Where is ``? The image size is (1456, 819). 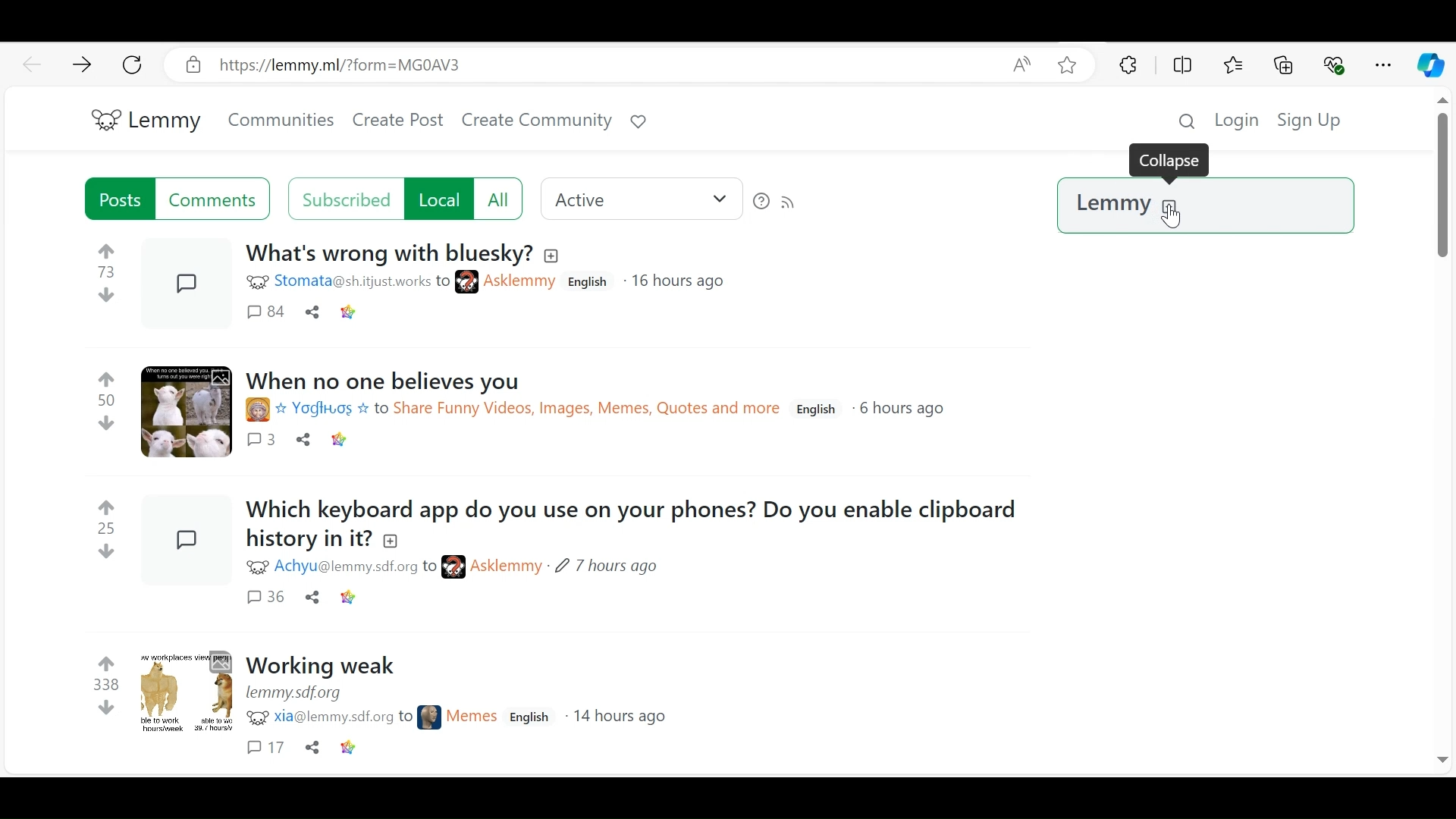  is located at coordinates (266, 749).